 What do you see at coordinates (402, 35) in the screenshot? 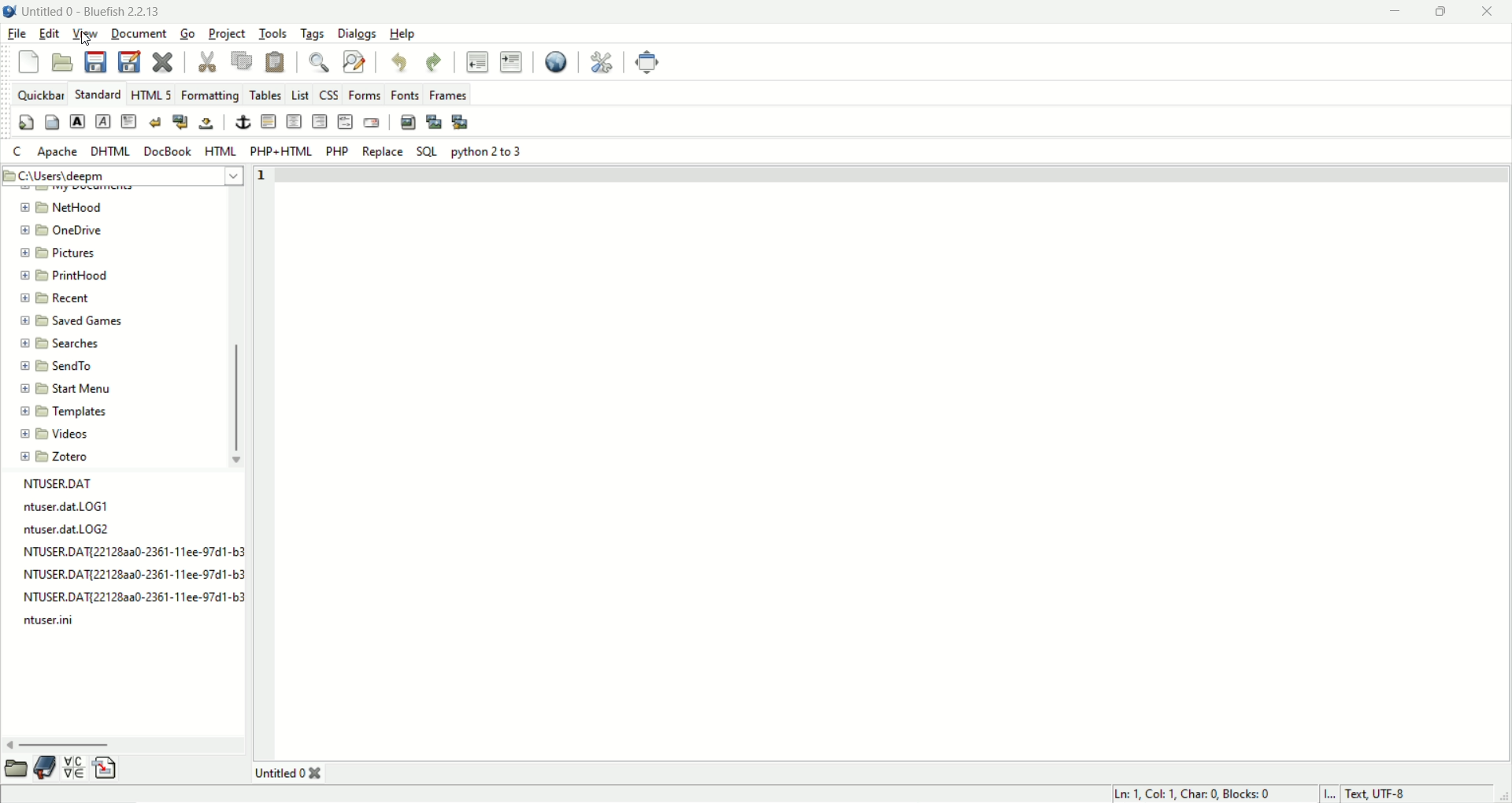
I see `help` at bounding box center [402, 35].